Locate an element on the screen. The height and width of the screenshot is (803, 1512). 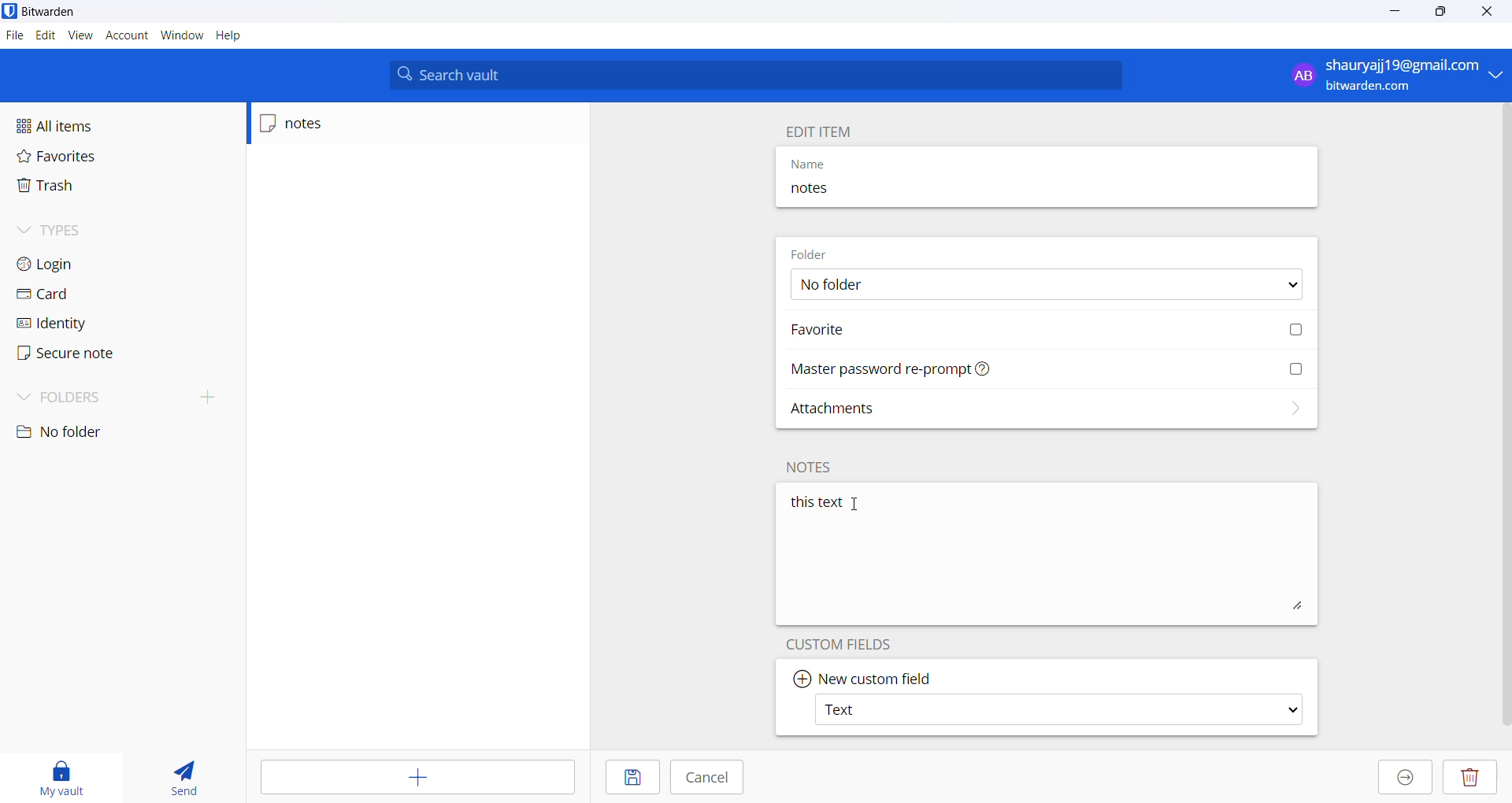
maximize is located at coordinates (1434, 12).